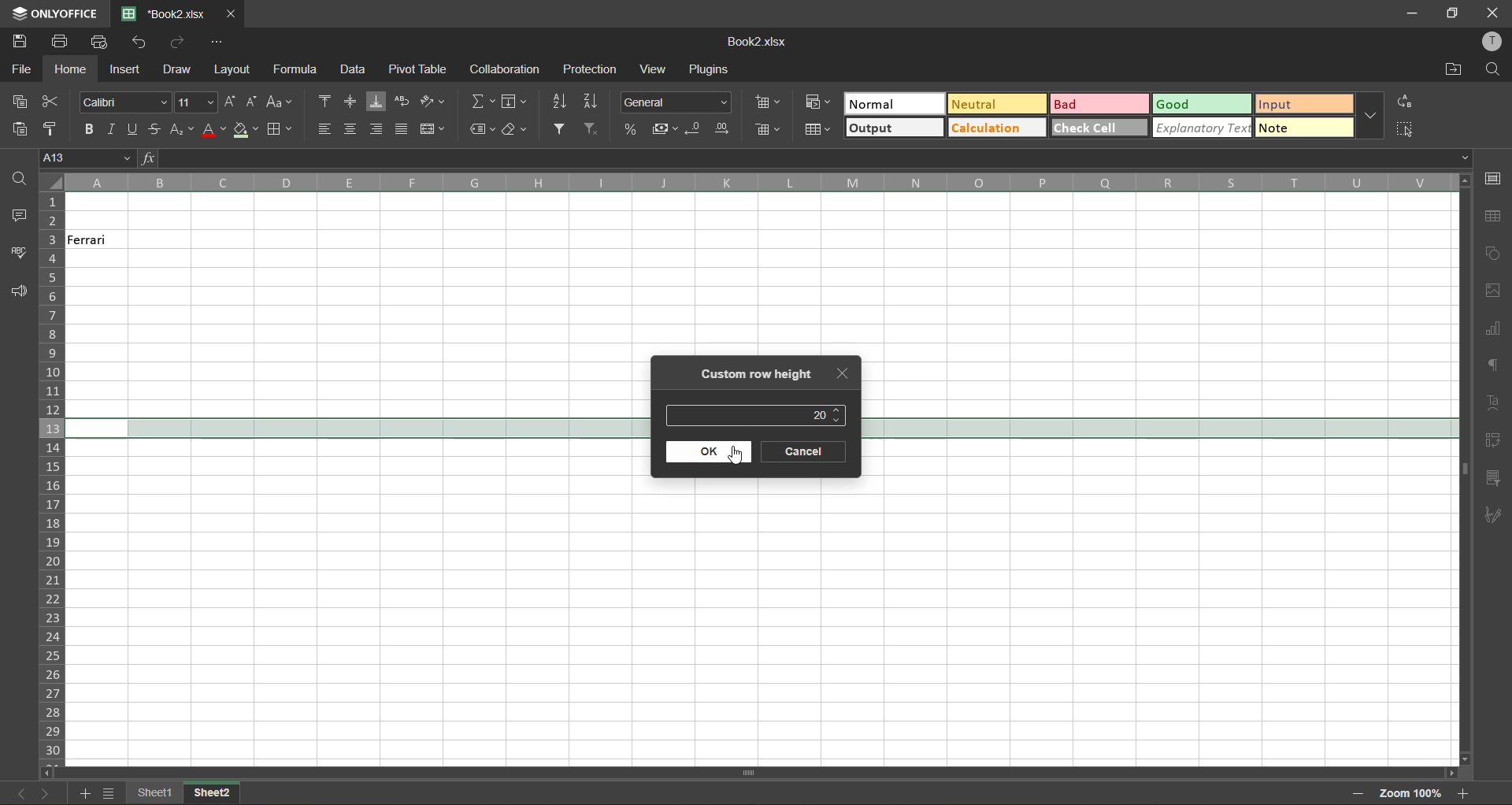 The height and width of the screenshot is (805, 1512). I want to click on redo, so click(180, 43).